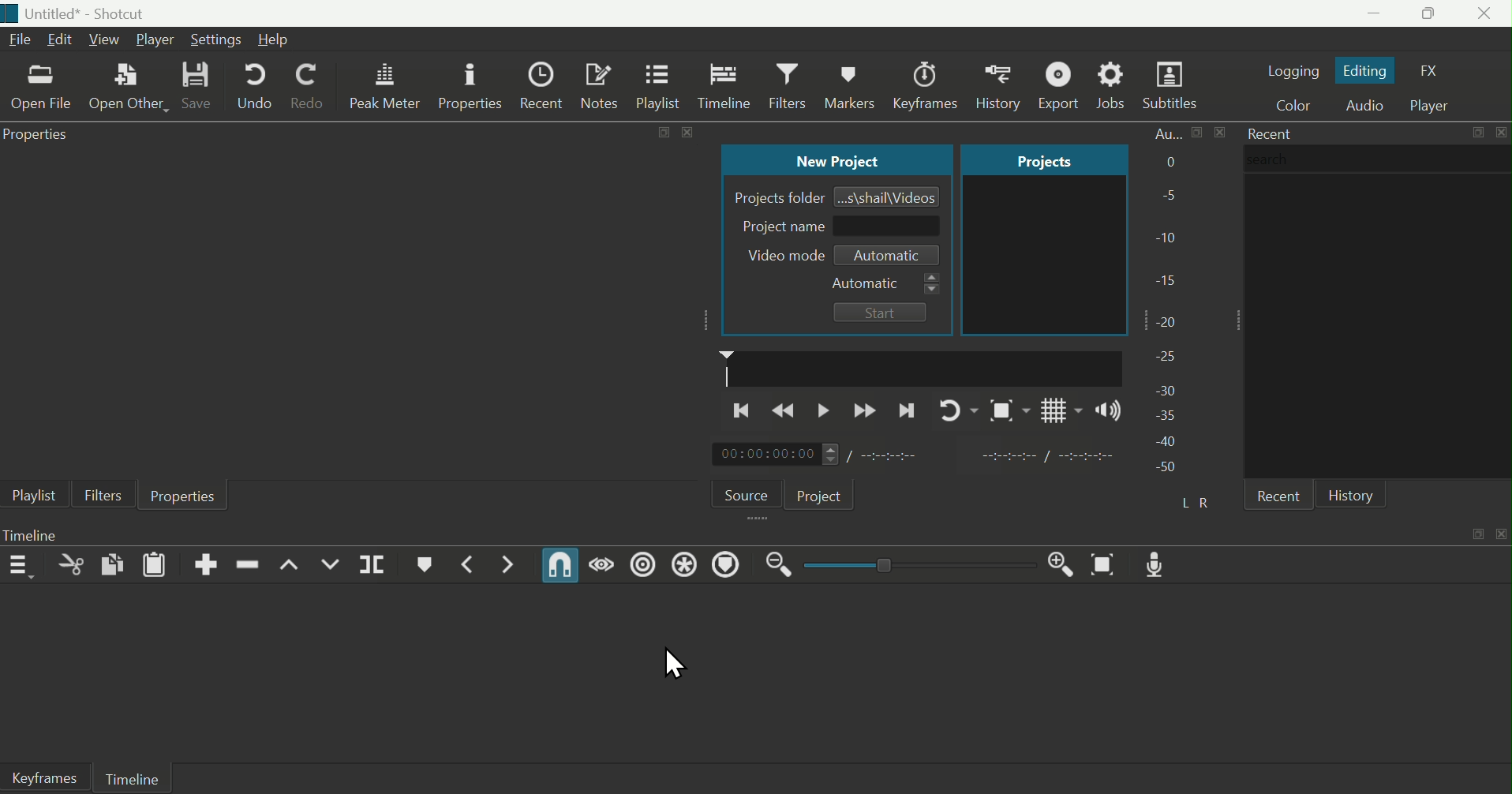  I want to click on Player, so click(1436, 103).